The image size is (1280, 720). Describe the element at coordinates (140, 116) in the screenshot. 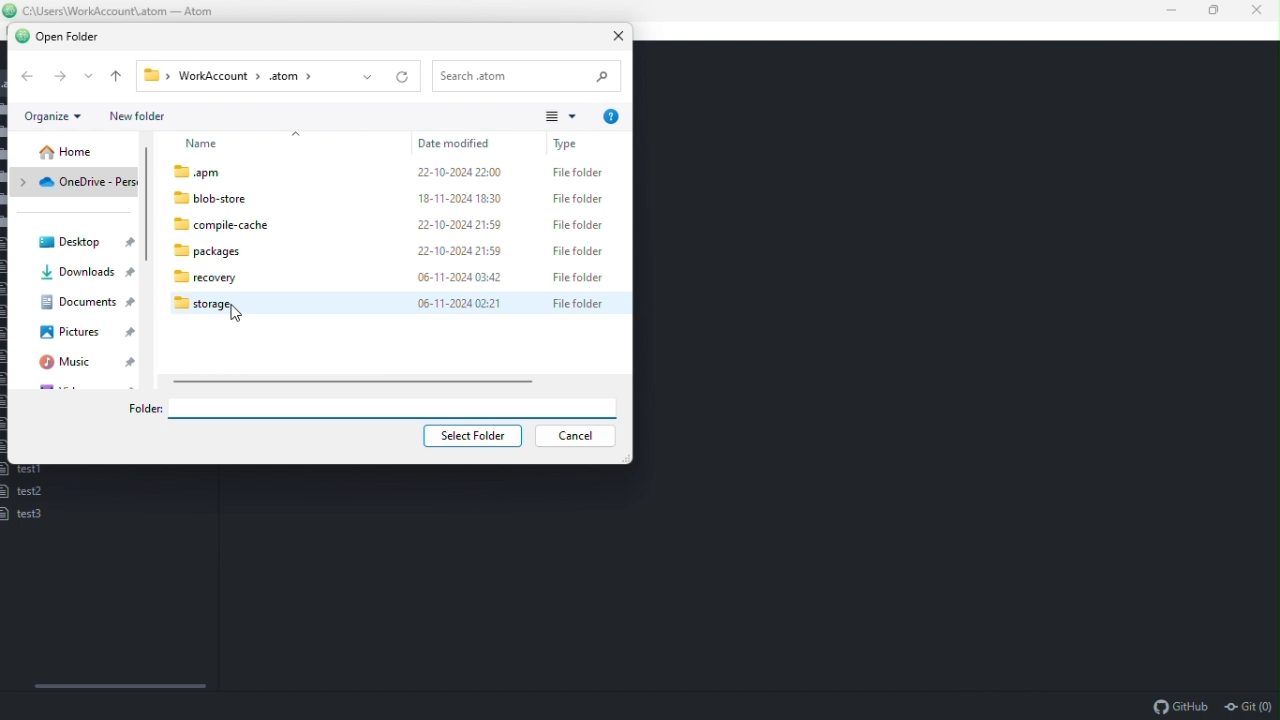

I see `New folder` at that location.